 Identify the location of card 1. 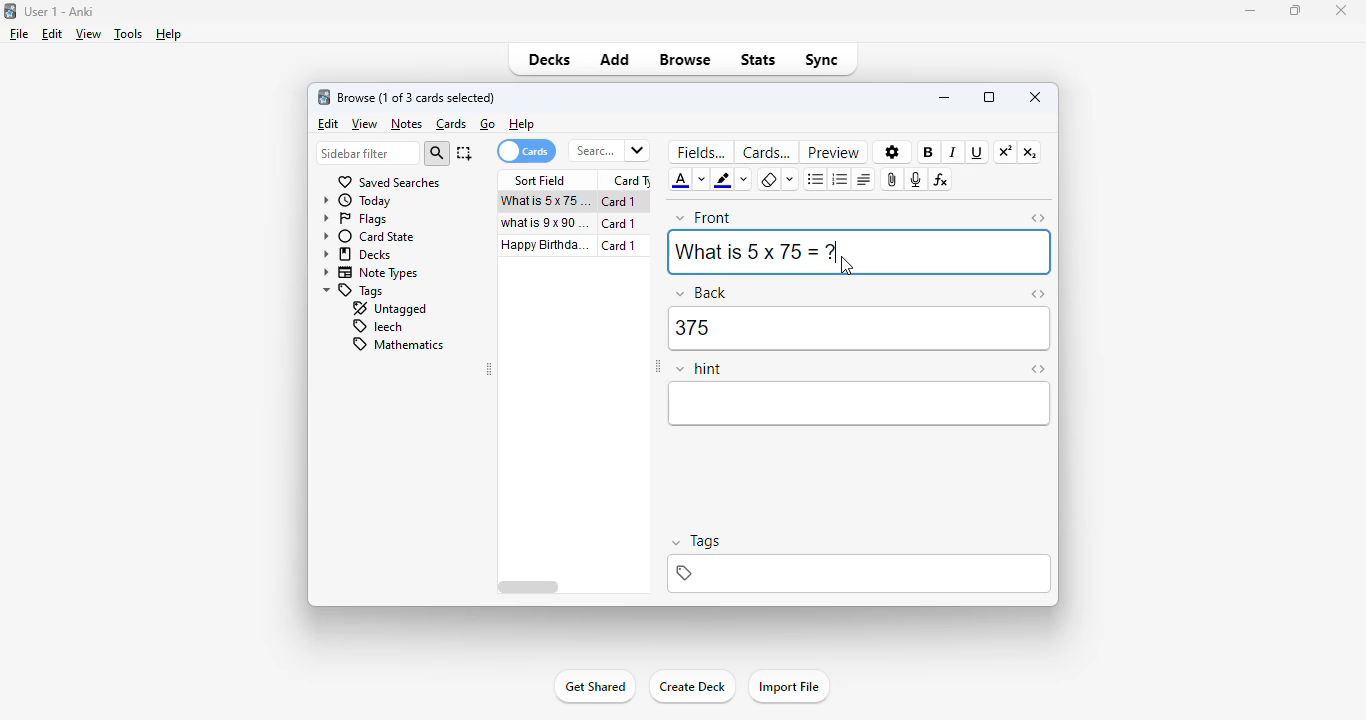
(619, 246).